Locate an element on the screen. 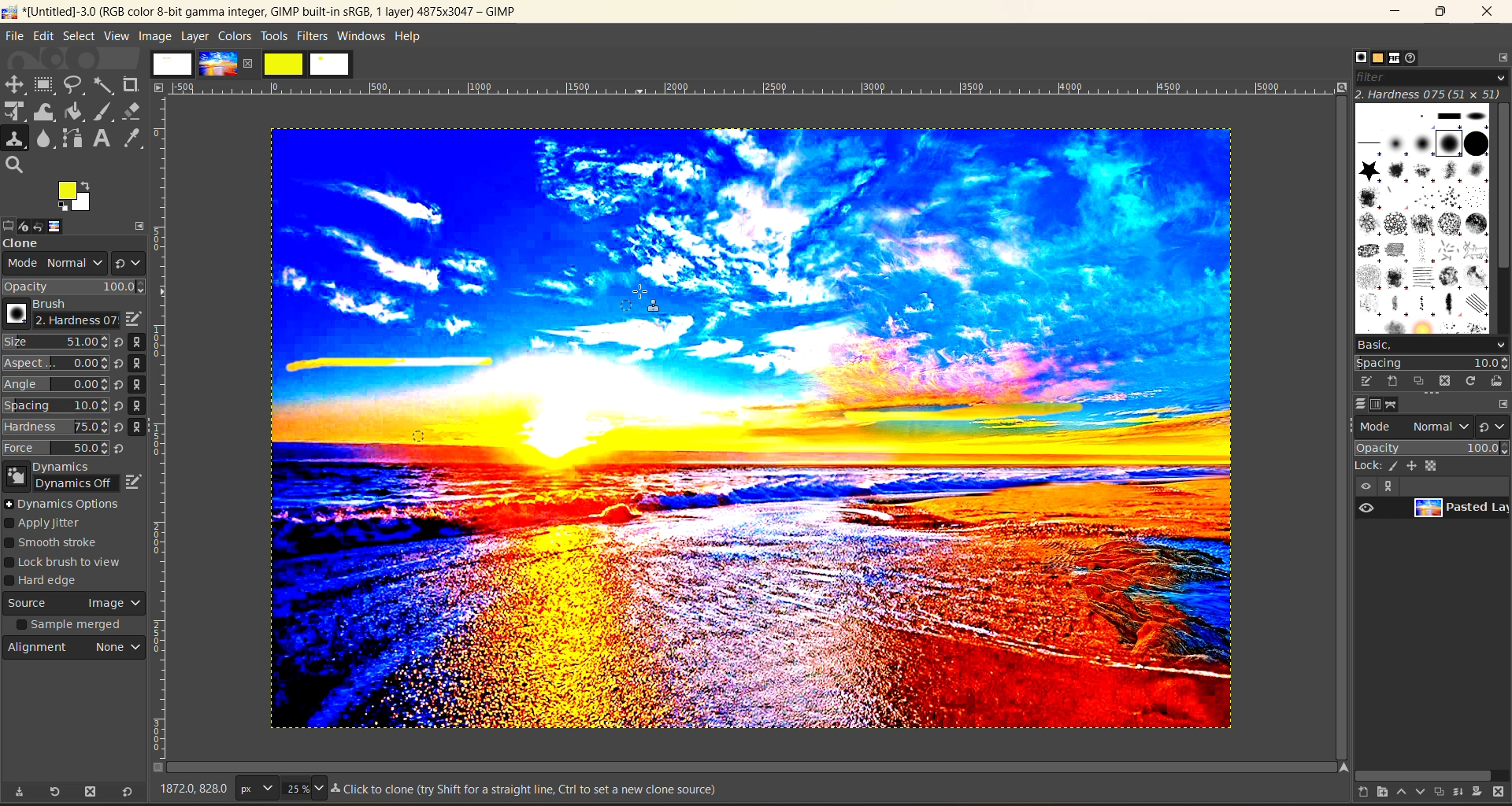 This screenshot has width=1512, height=806. background is located at coordinates (1435, 465).